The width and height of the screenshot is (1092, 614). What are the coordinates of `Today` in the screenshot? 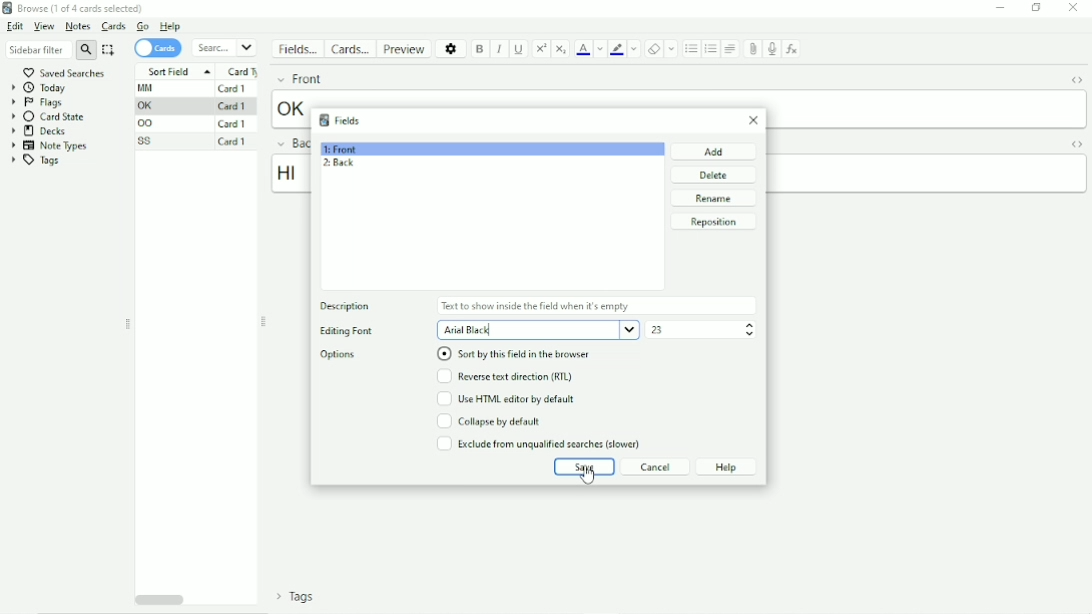 It's located at (41, 88).